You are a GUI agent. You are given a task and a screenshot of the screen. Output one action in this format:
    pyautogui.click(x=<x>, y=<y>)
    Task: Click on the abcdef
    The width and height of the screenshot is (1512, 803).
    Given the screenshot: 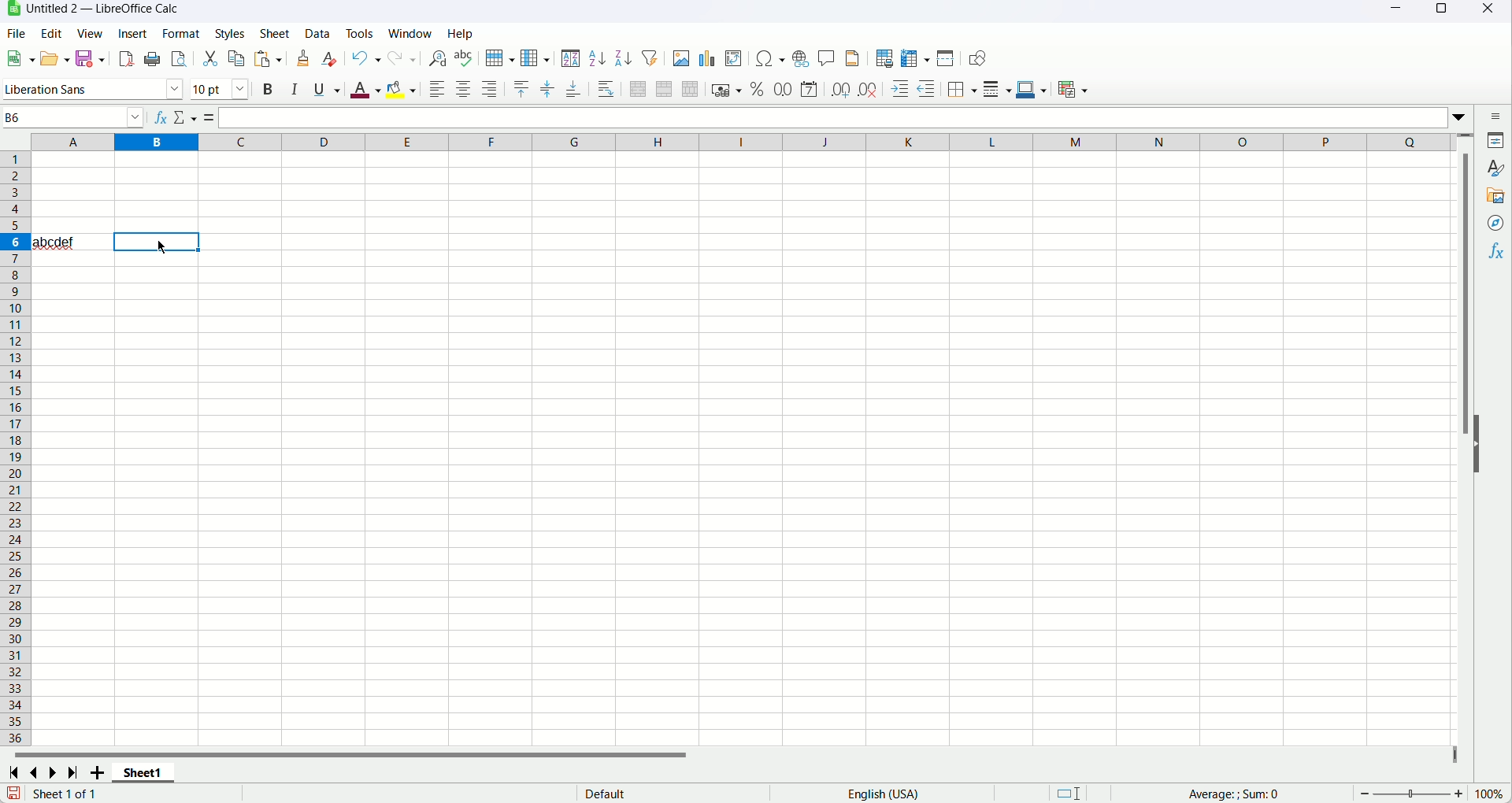 What is the action you would take?
    pyautogui.click(x=54, y=241)
    